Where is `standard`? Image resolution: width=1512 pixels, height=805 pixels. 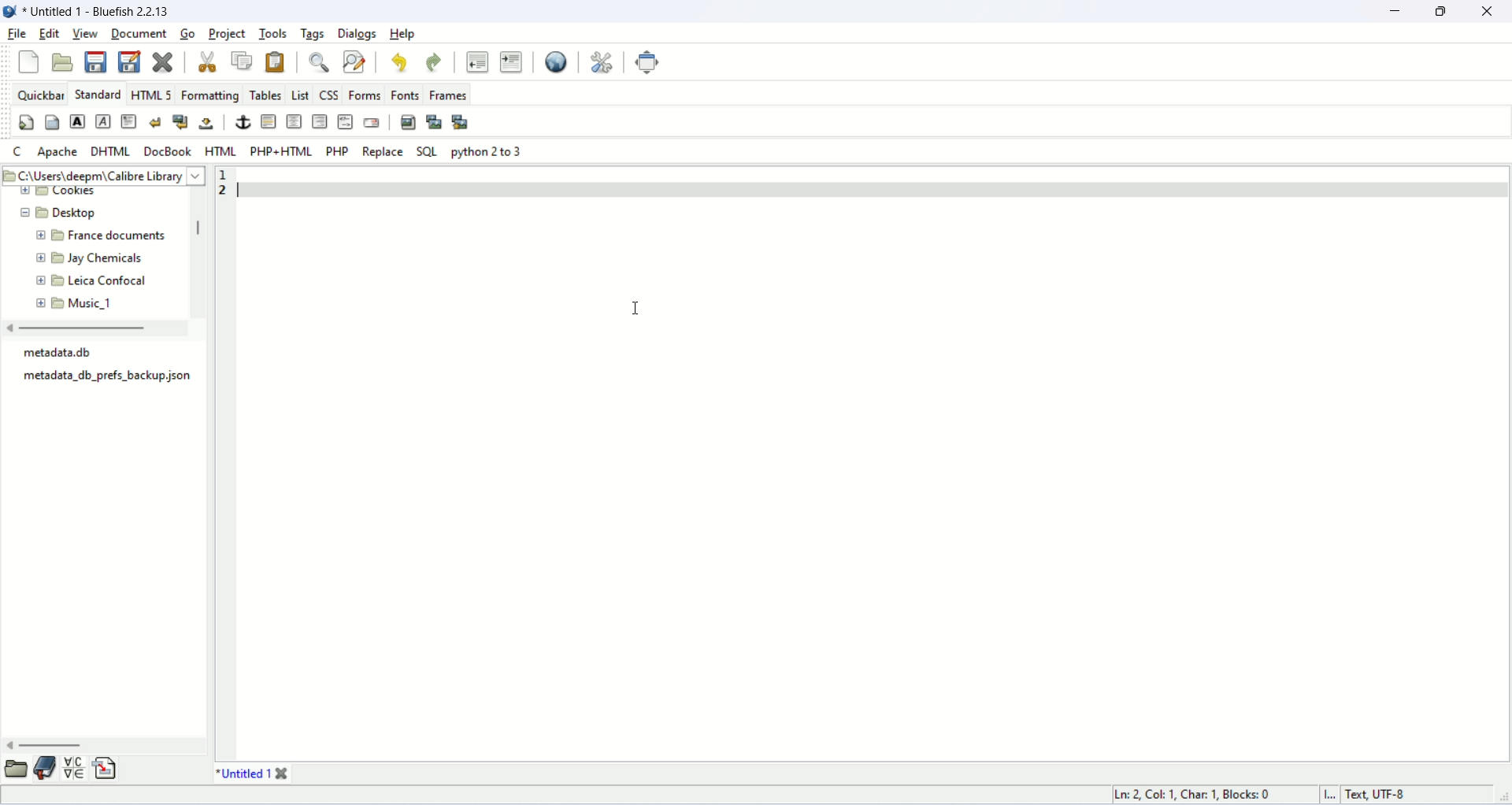
standard is located at coordinates (96, 95).